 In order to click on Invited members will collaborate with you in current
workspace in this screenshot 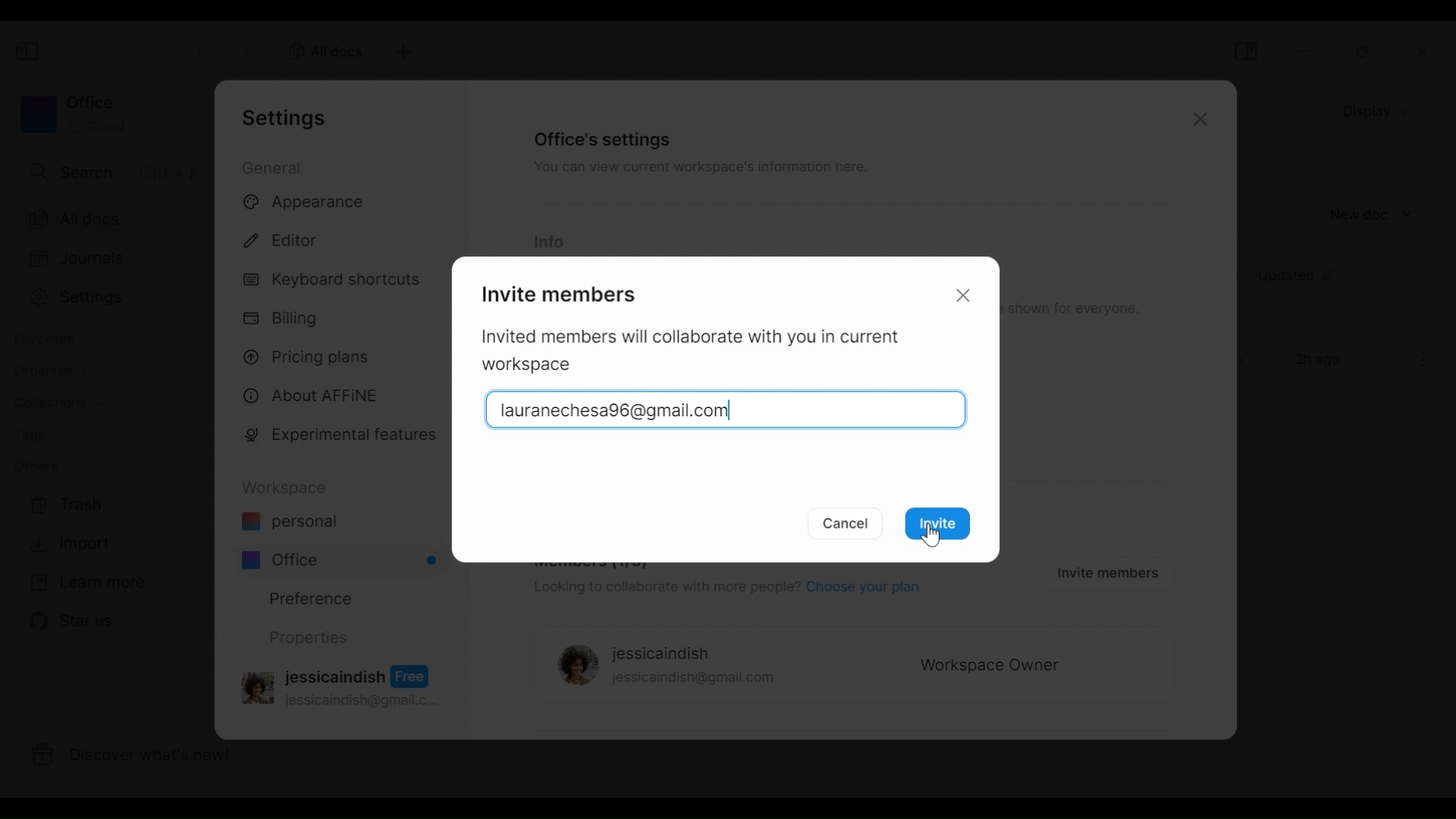, I will do `click(699, 352)`.